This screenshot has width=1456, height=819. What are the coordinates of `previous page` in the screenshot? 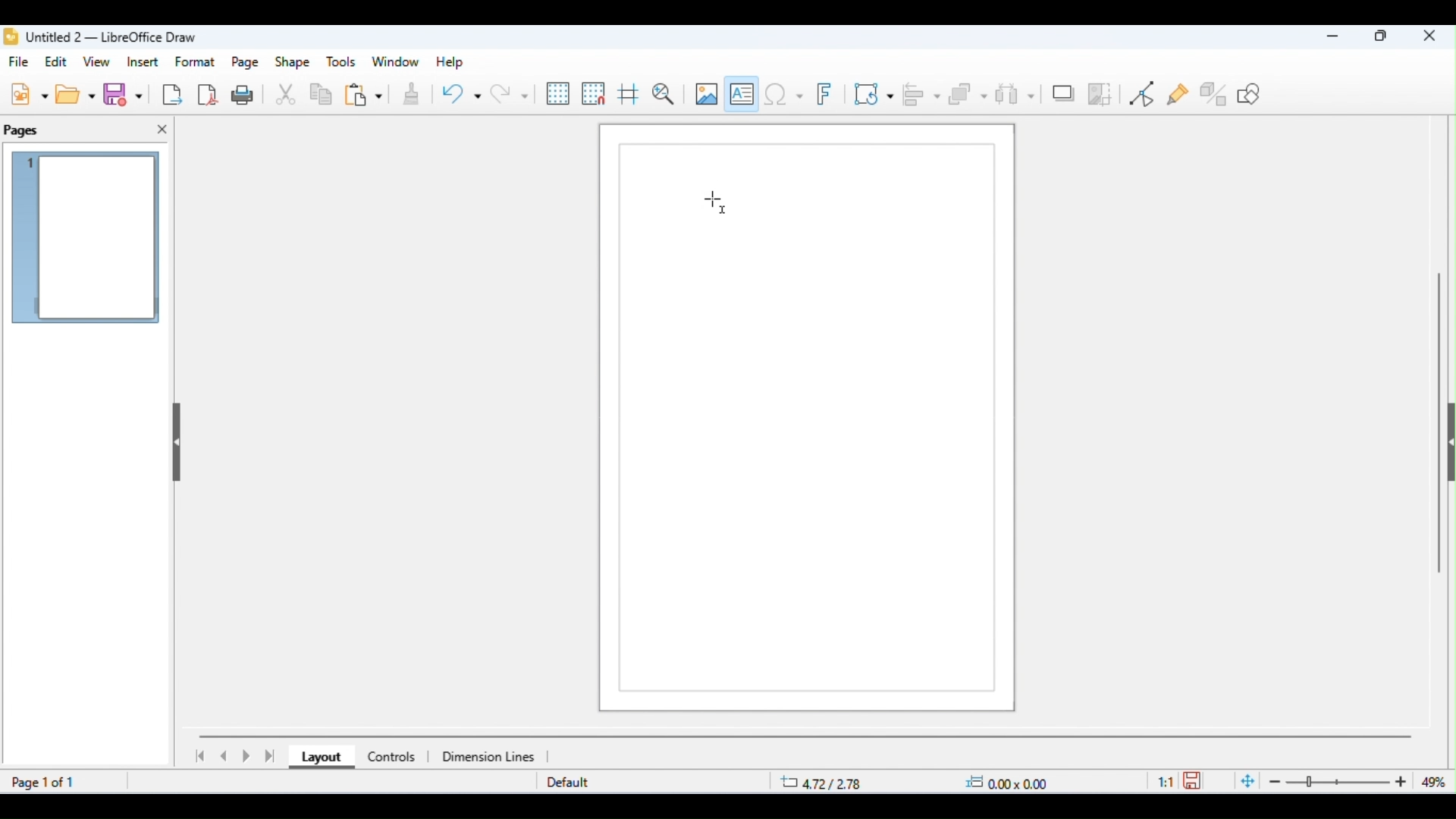 It's located at (224, 756).